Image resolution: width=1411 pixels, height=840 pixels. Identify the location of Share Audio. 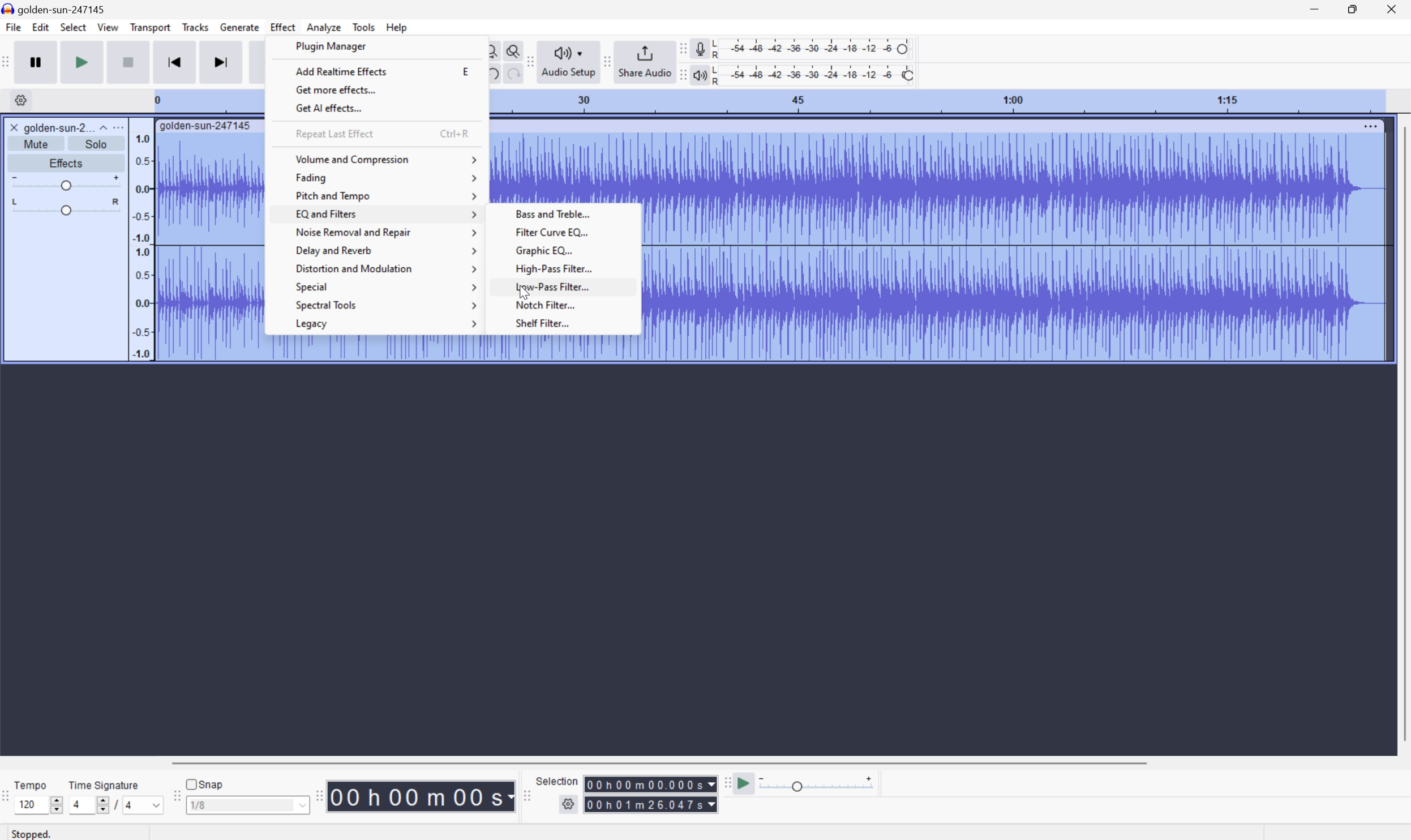
(644, 61).